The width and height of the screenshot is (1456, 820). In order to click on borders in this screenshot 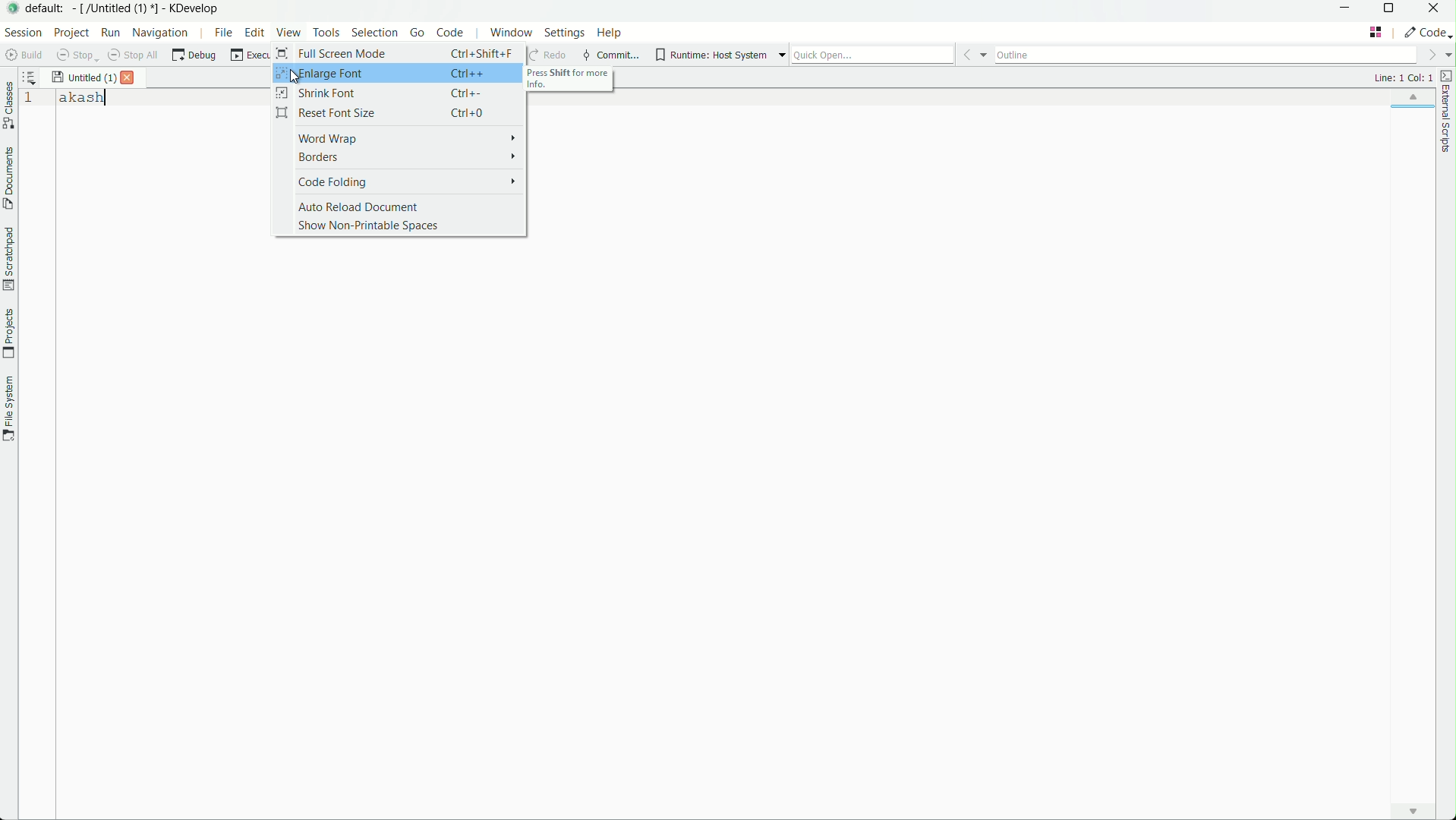, I will do `click(399, 158)`.